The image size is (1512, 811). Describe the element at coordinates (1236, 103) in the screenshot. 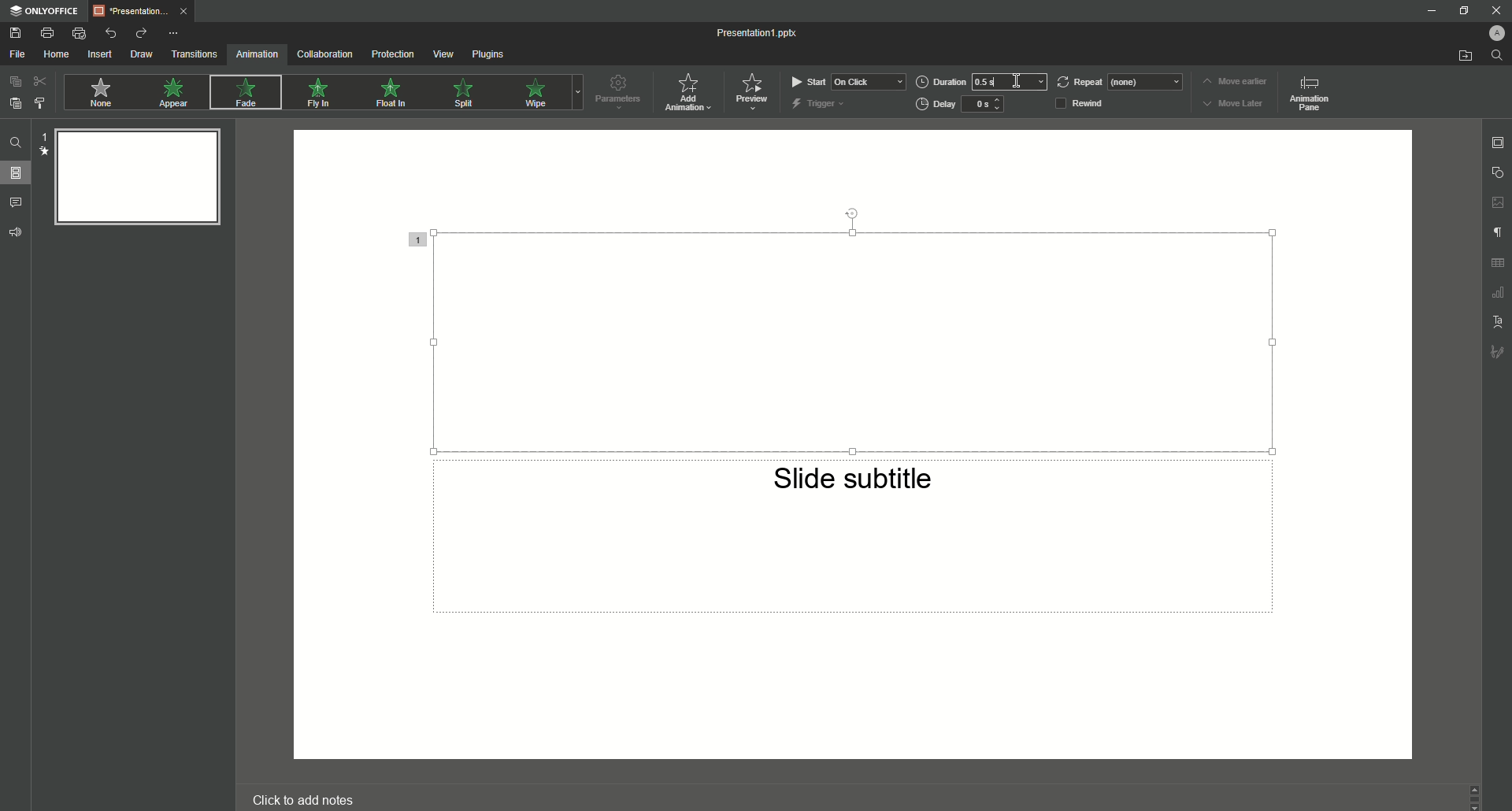

I see `Move Later` at that location.